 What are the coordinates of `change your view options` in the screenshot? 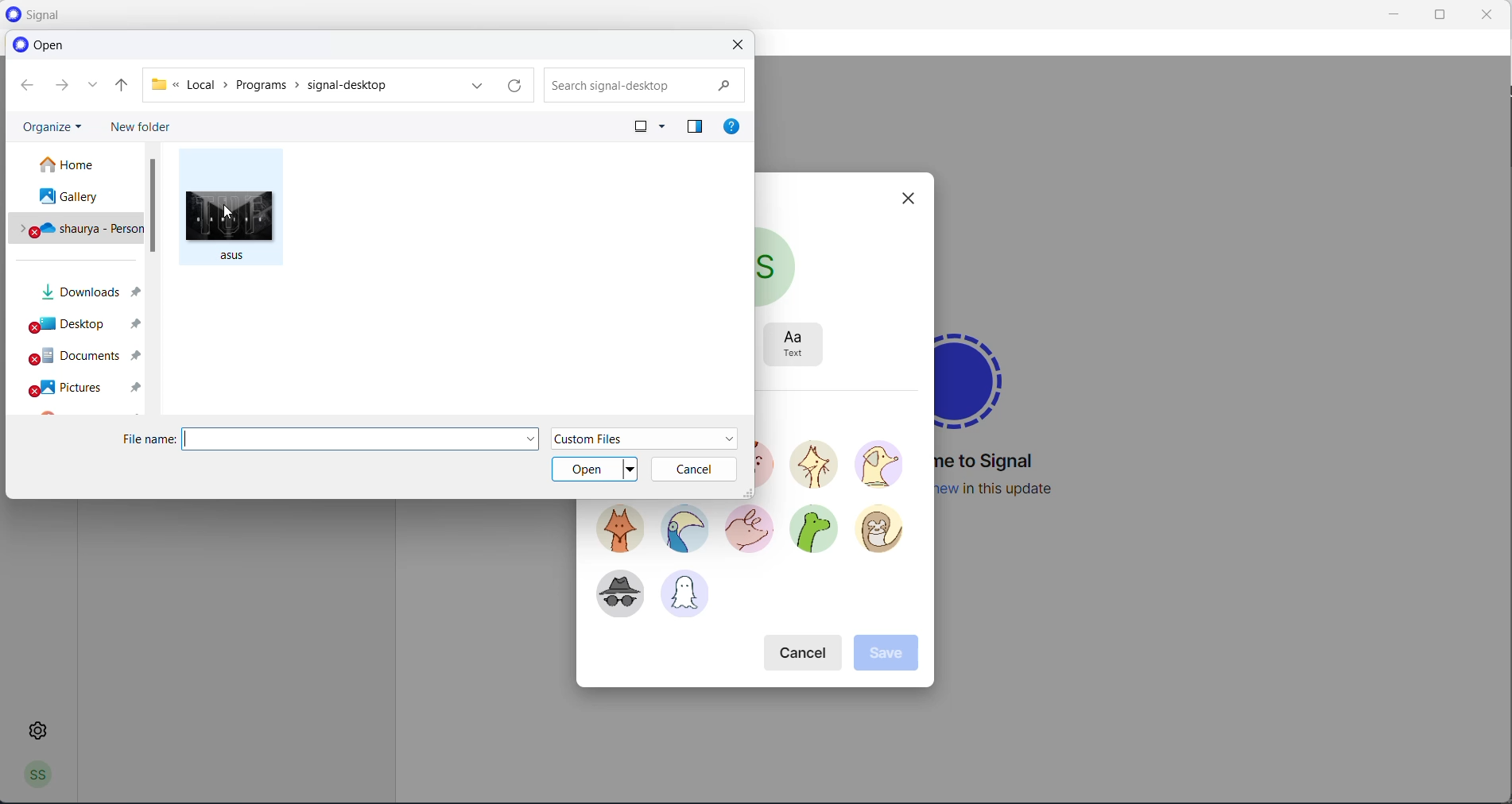 It's located at (665, 127).